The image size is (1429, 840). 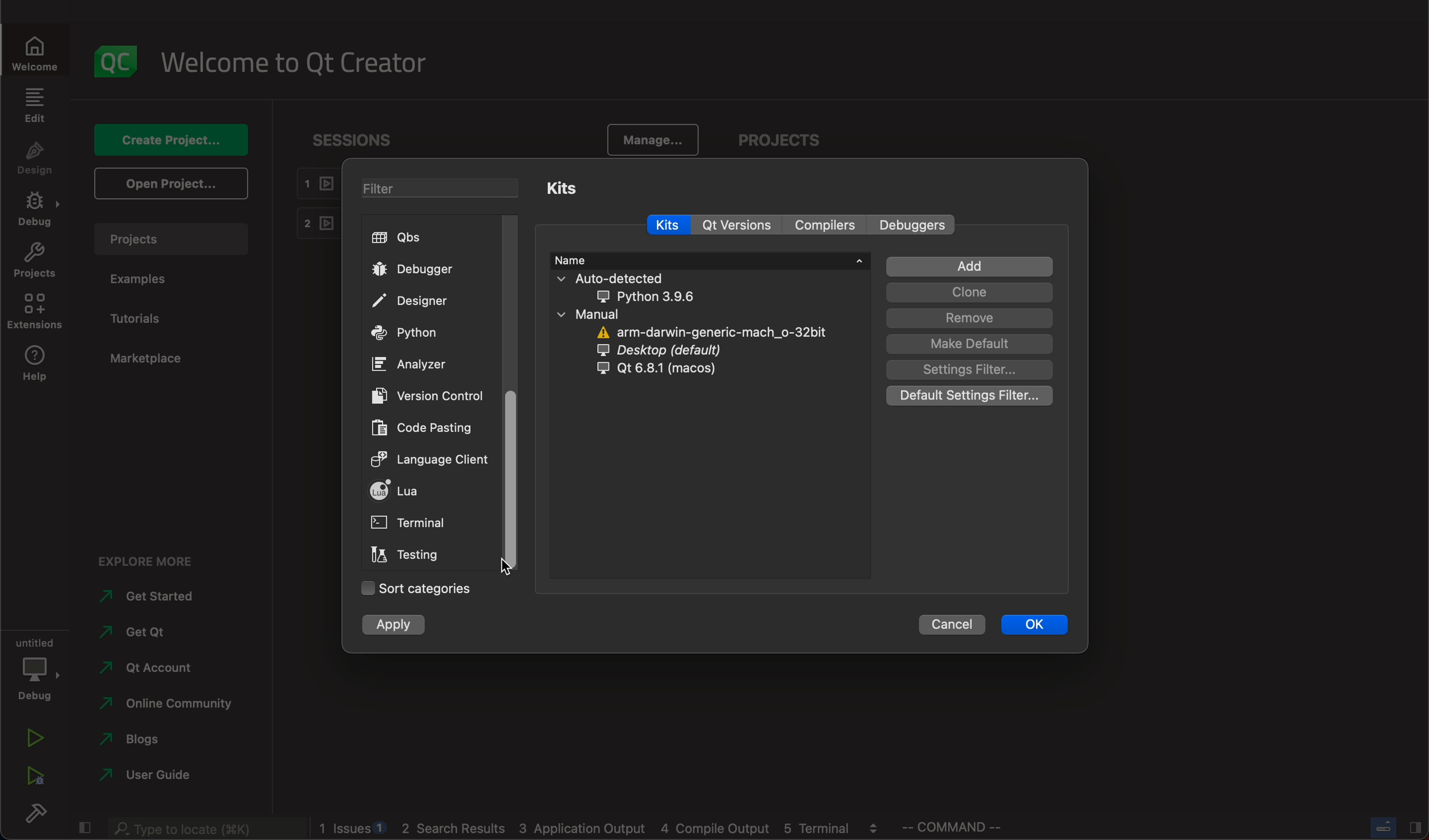 I want to click on explore more, so click(x=157, y=559).